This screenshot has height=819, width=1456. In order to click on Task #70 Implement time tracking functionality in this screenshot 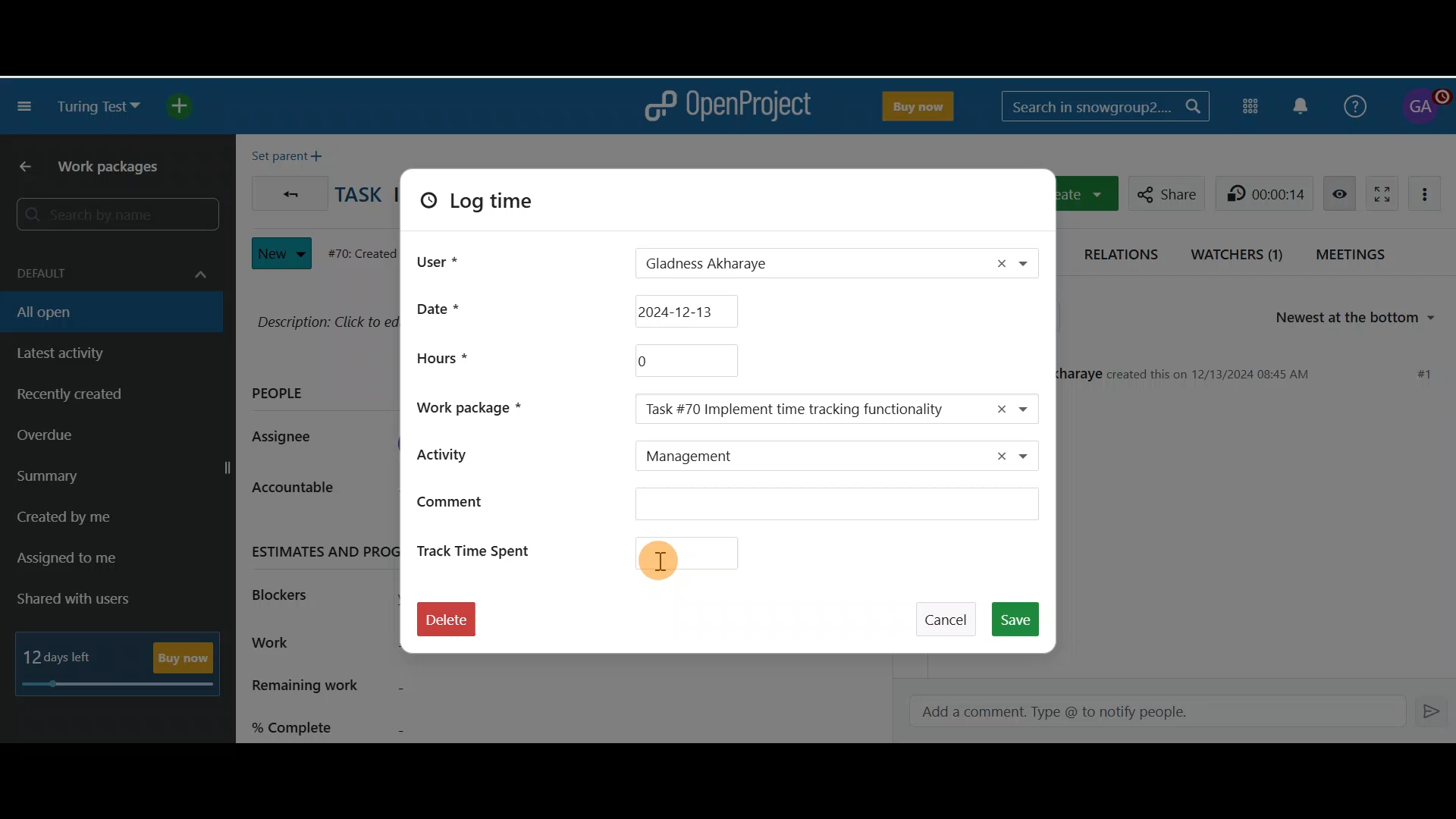, I will do `click(802, 409)`.